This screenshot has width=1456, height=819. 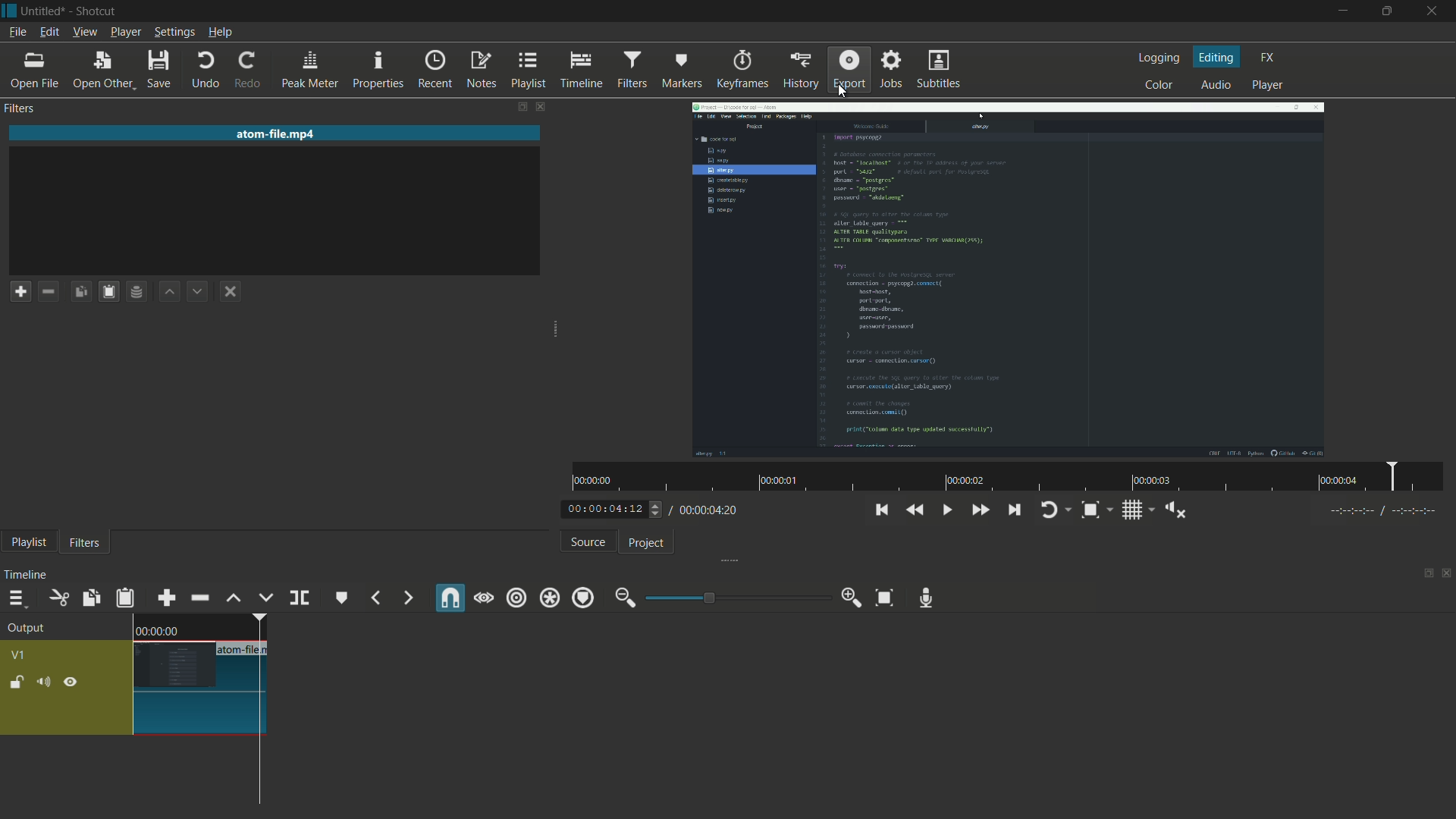 What do you see at coordinates (632, 69) in the screenshot?
I see `filters` at bounding box center [632, 69].